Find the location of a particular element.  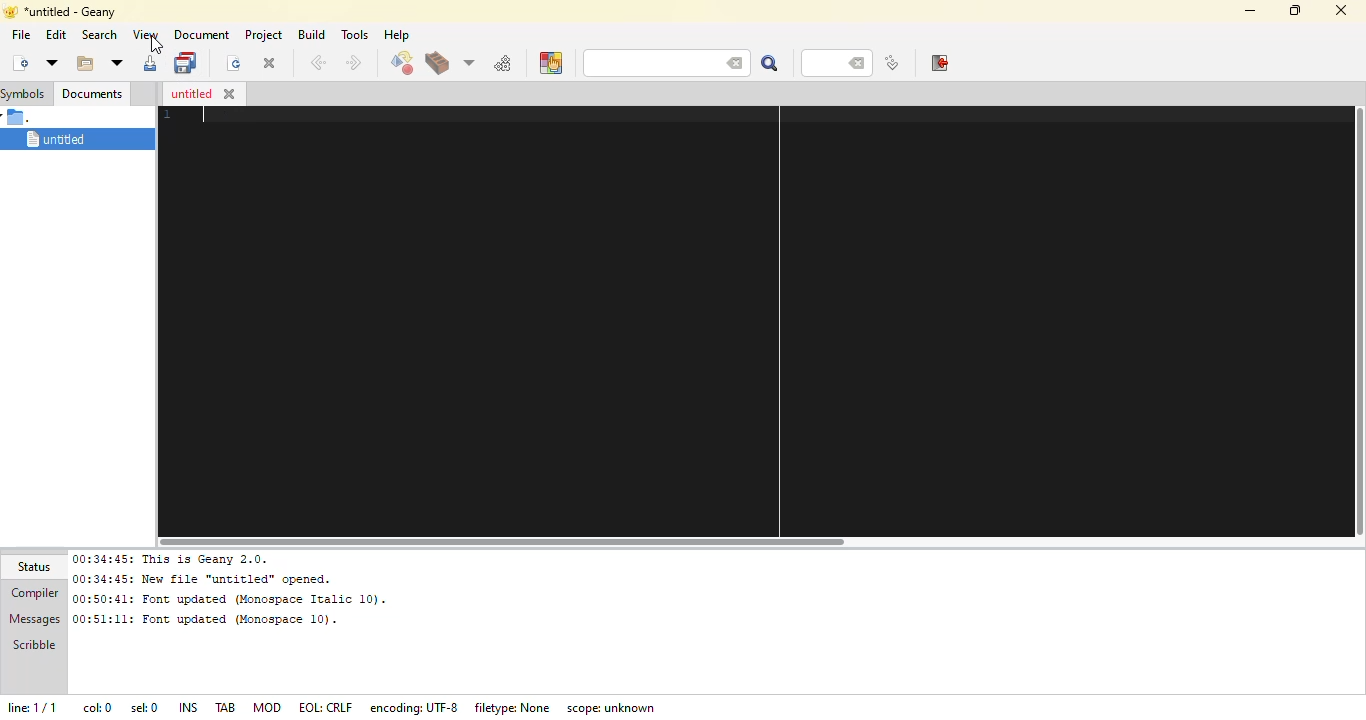

mod is located at coordinates (267, 706).